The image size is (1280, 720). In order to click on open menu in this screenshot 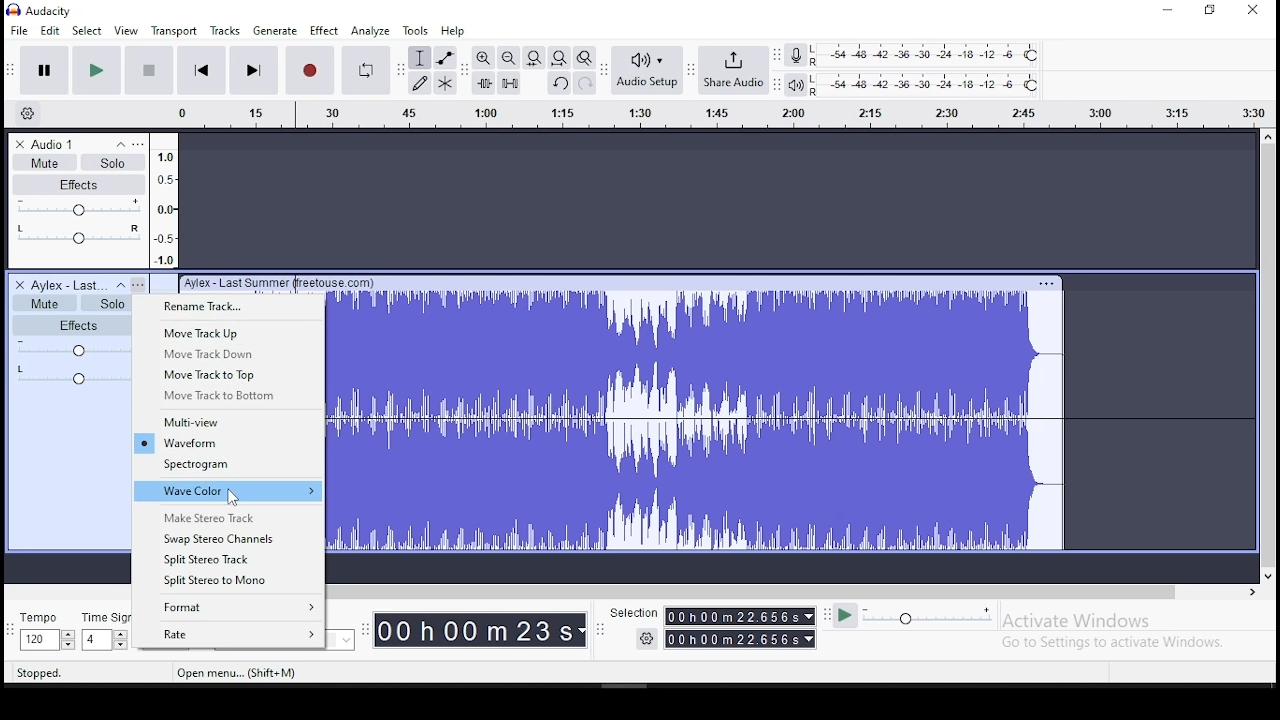, I will do `click(240, 674)`.